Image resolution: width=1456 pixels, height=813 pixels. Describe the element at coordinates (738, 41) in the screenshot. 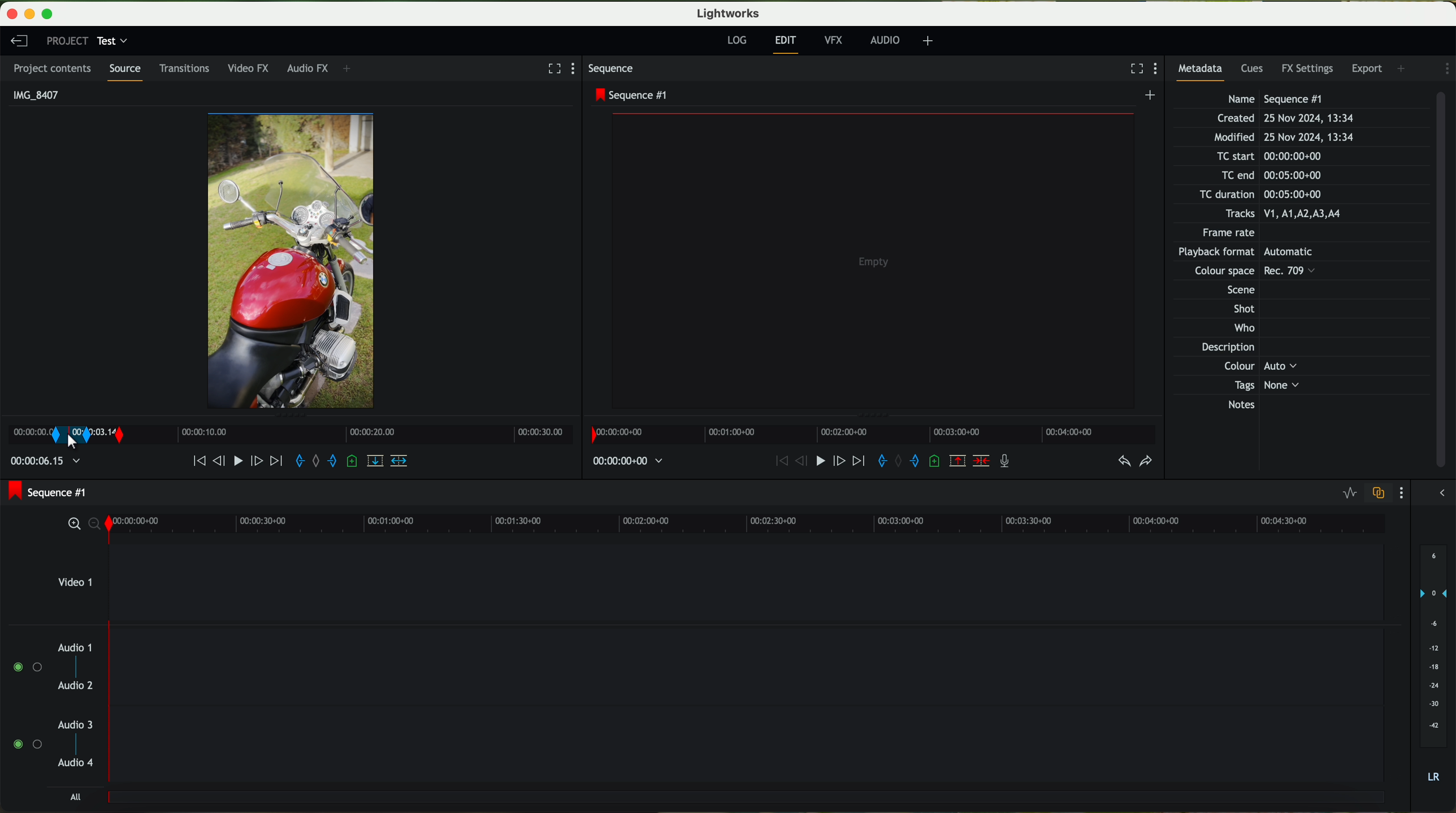

I see `log` at that location.